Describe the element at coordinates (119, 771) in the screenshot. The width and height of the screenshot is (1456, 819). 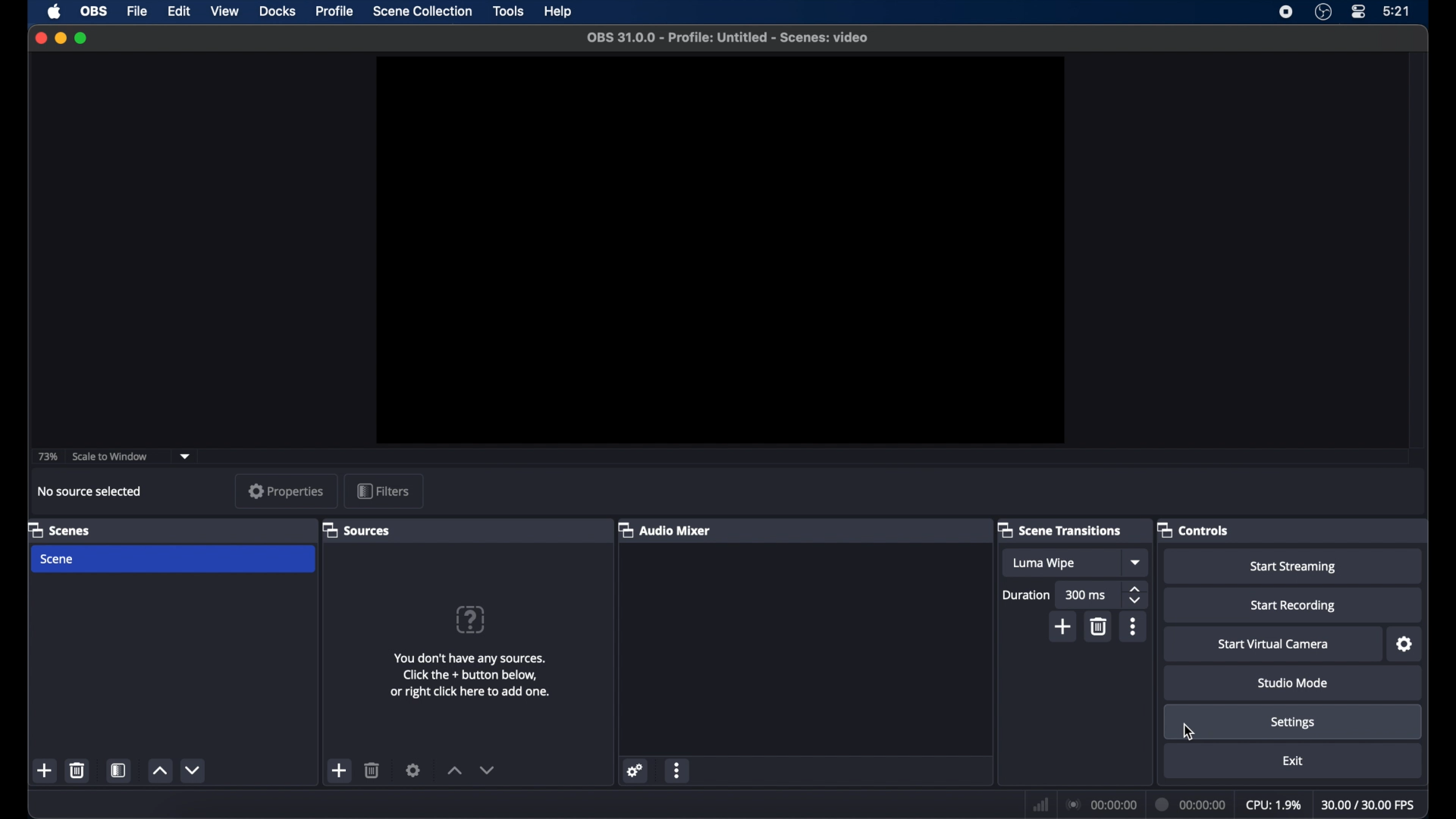
I see `scene filters` at that location.